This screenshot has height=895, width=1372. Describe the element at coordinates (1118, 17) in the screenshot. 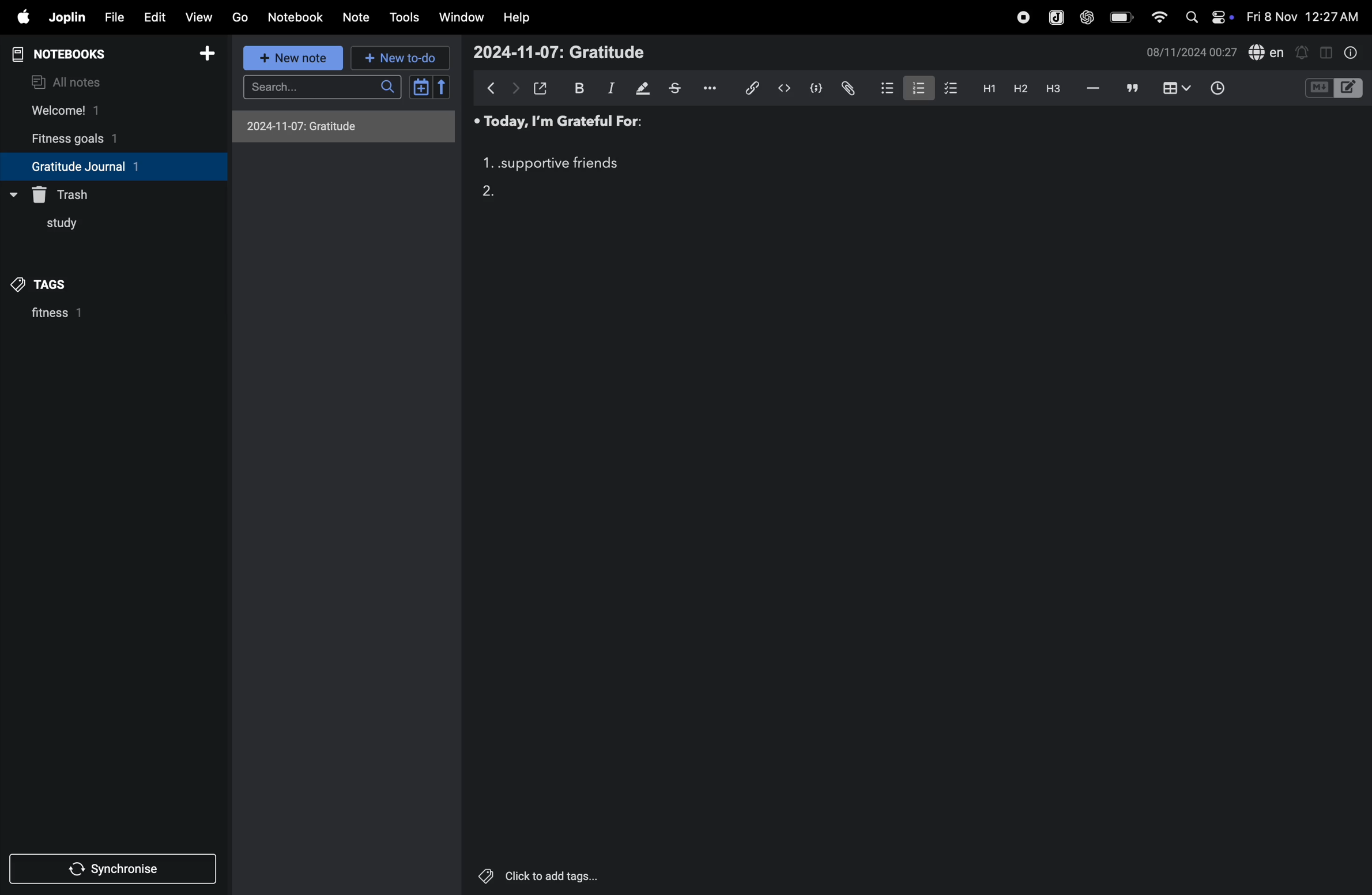

I see `battery` at that location.